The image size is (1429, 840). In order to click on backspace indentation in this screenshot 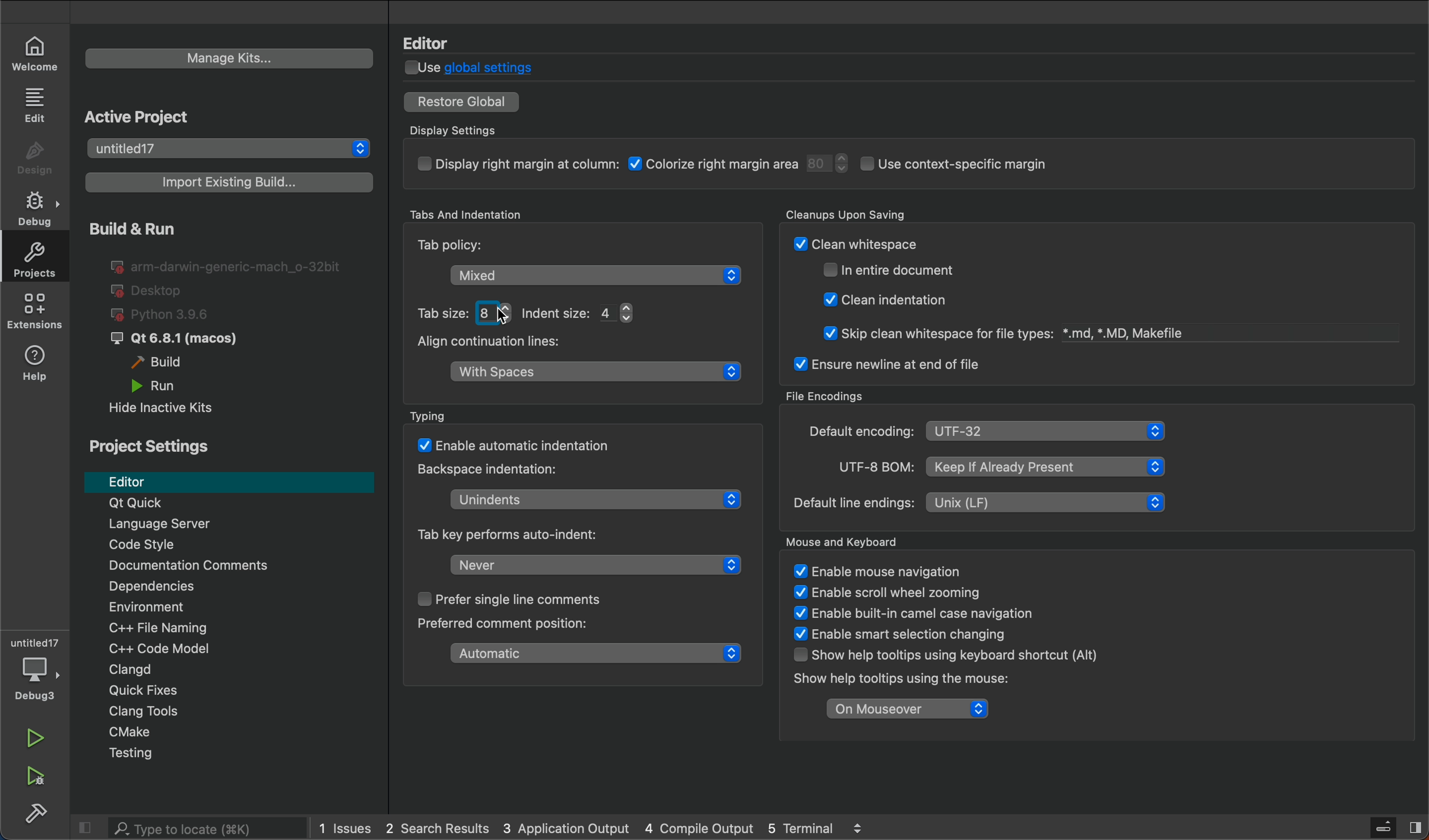, I will do `click(495, 470)`.